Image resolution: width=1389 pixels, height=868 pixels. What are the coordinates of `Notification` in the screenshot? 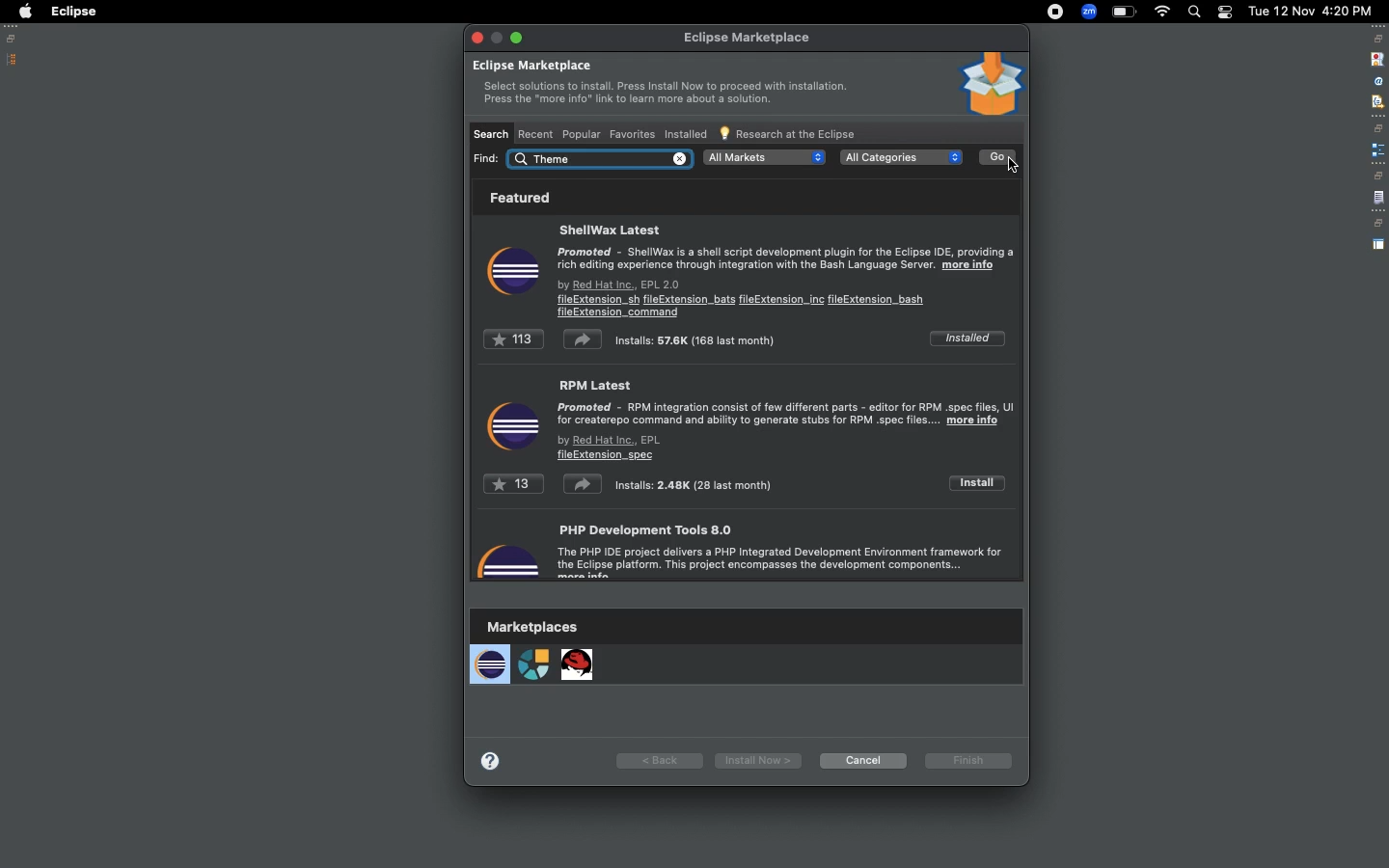 It's located at (1224, 13).